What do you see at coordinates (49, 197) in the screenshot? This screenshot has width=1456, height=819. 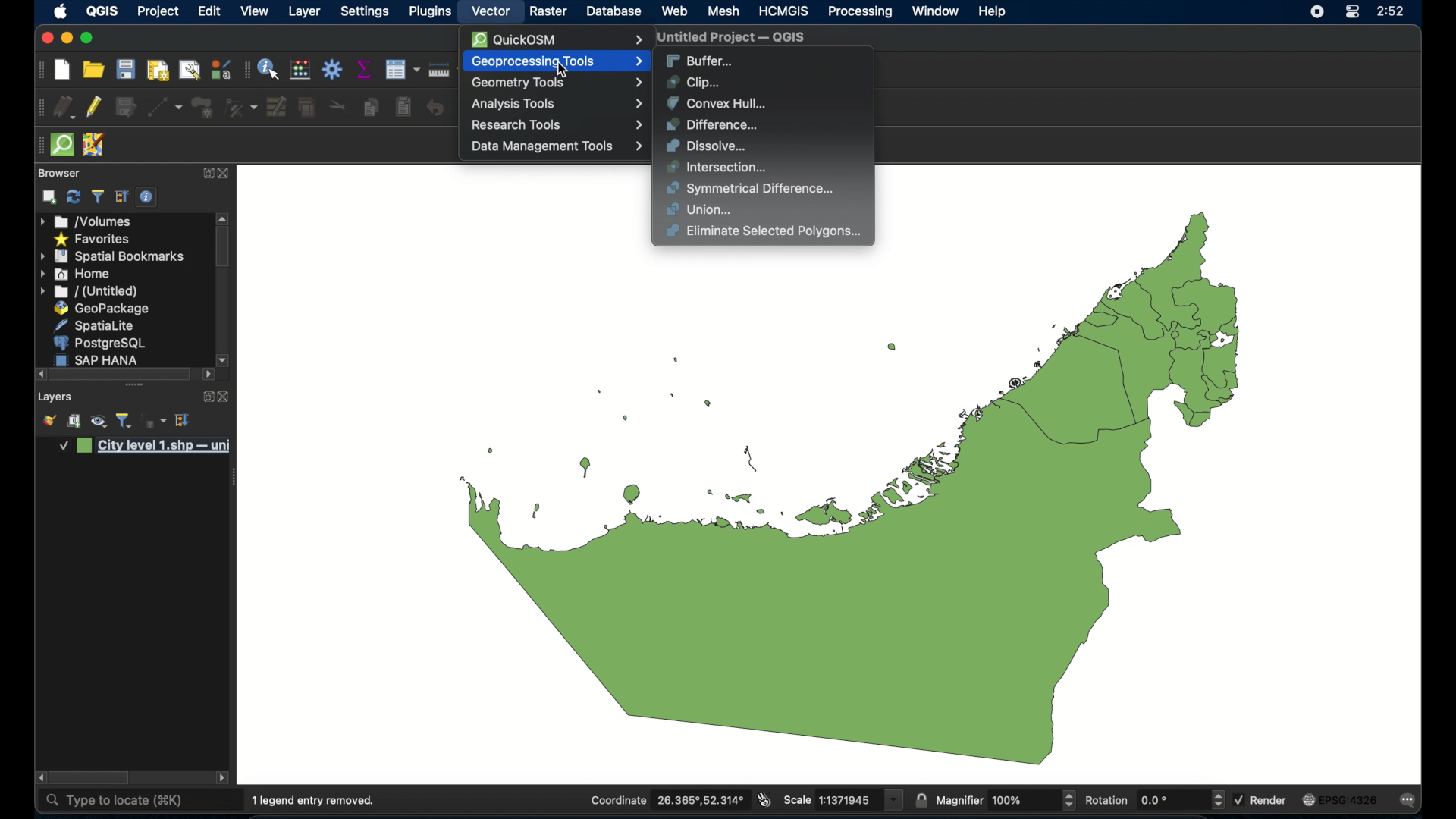 I see `add selected layers` at bounding box center [49, 197].